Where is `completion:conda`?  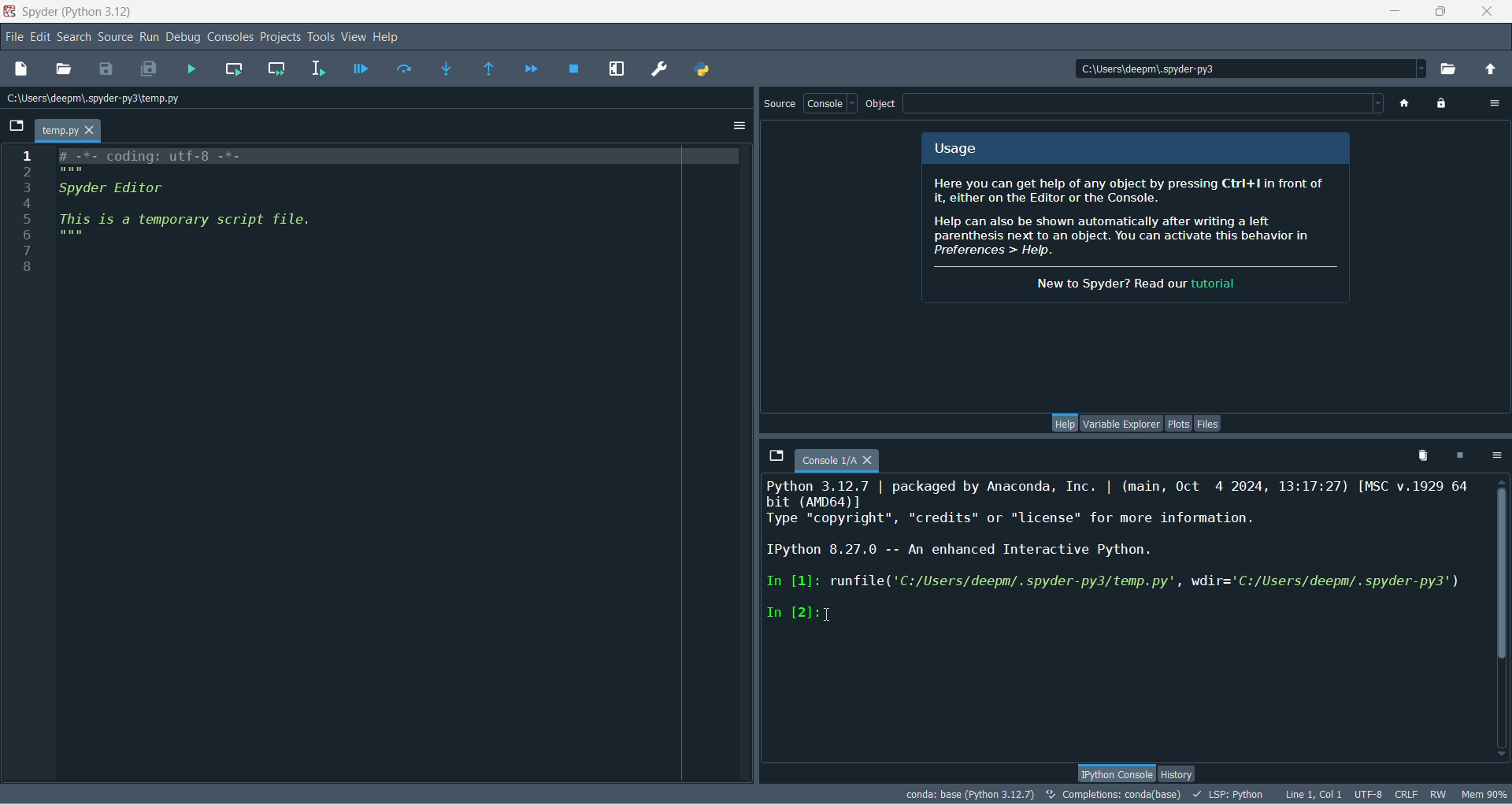
completion:conda is located at coordinates (1113, 794).